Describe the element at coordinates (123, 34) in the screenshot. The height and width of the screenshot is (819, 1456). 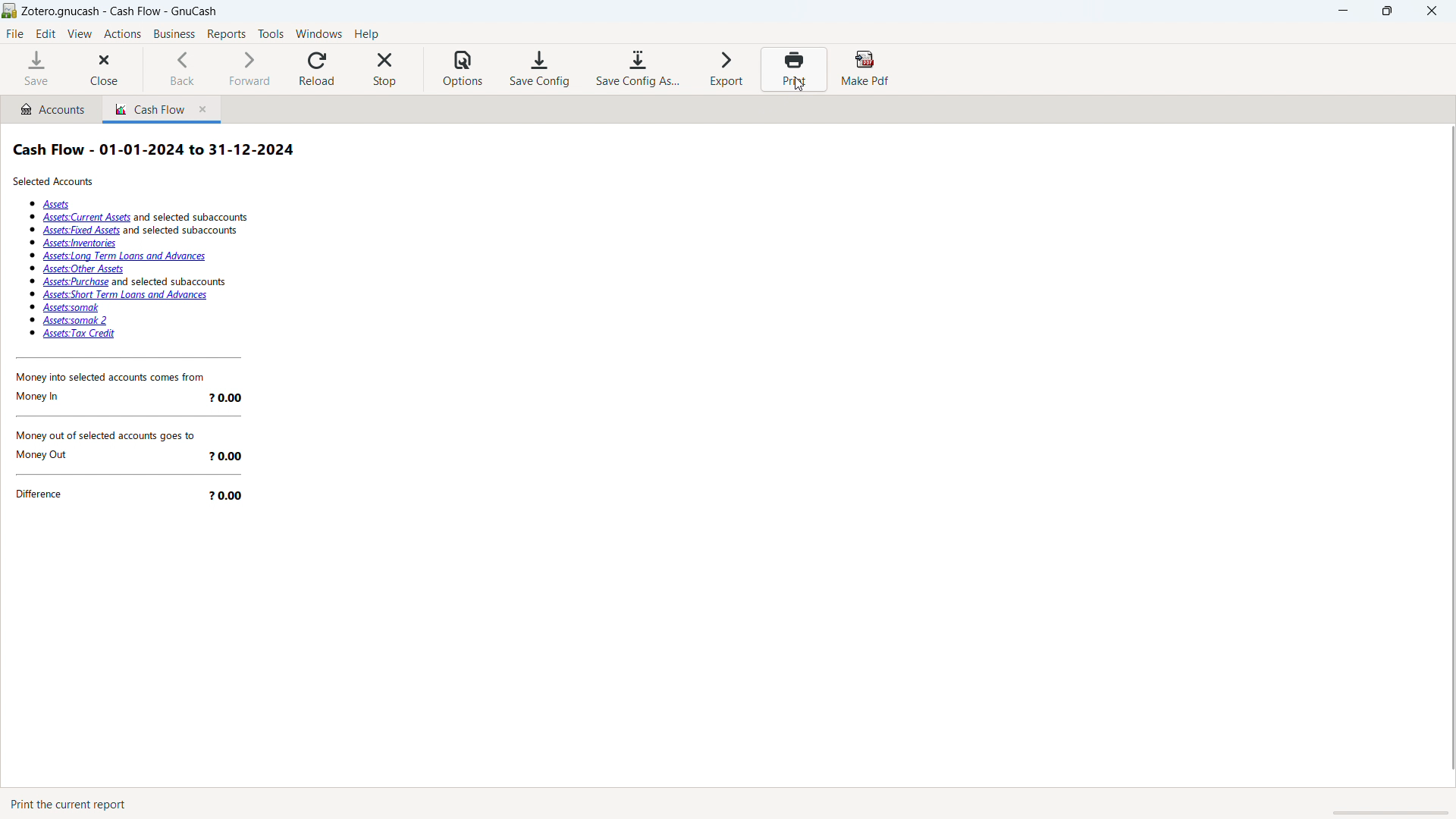
I see `actions` at that location.